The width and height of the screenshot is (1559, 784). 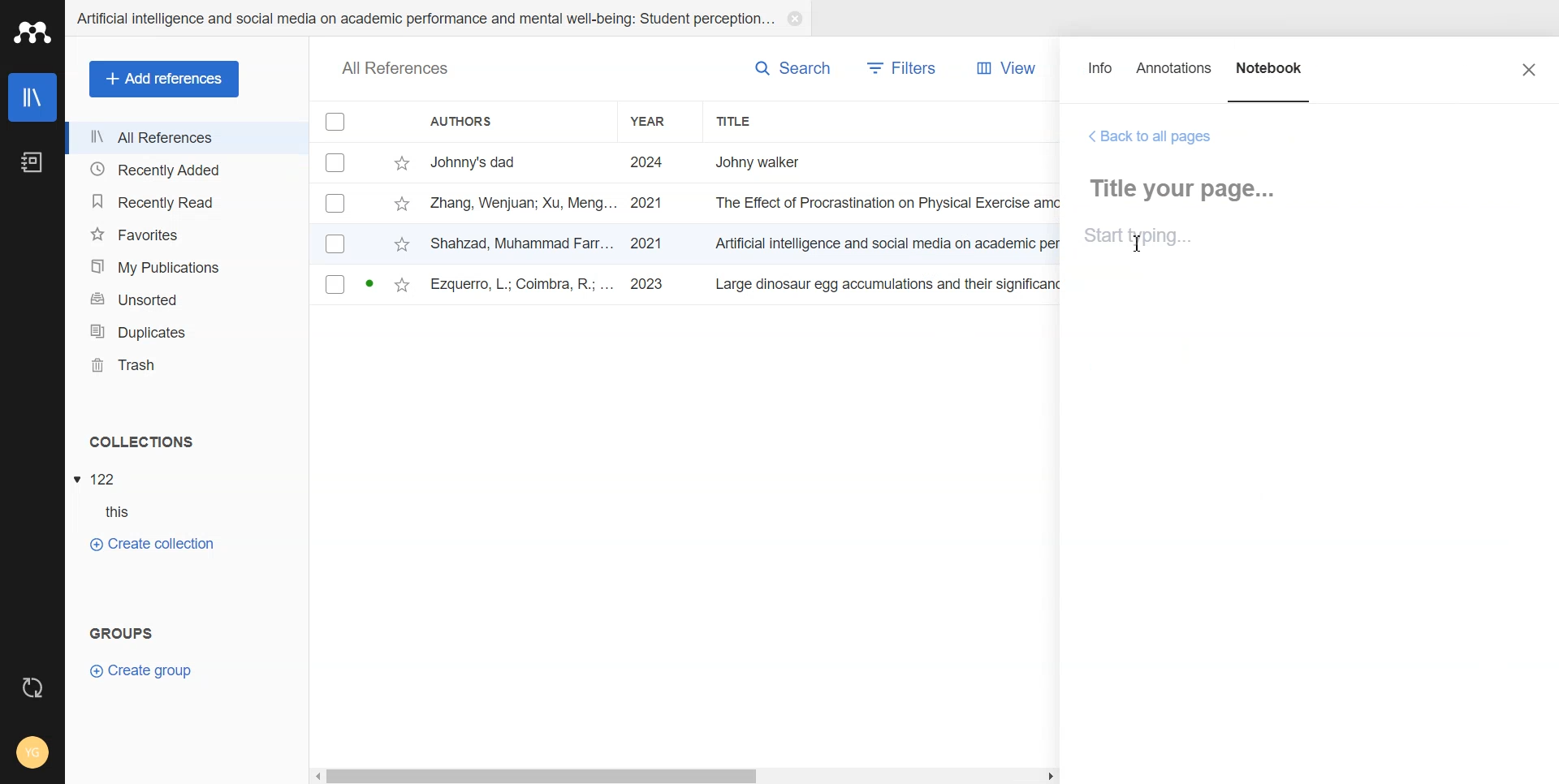 What do you see at coordinates (889, 203) in the screenshot?
I see `the effect of procrastination on physical exercise amo` at bounding box center [889, 203].